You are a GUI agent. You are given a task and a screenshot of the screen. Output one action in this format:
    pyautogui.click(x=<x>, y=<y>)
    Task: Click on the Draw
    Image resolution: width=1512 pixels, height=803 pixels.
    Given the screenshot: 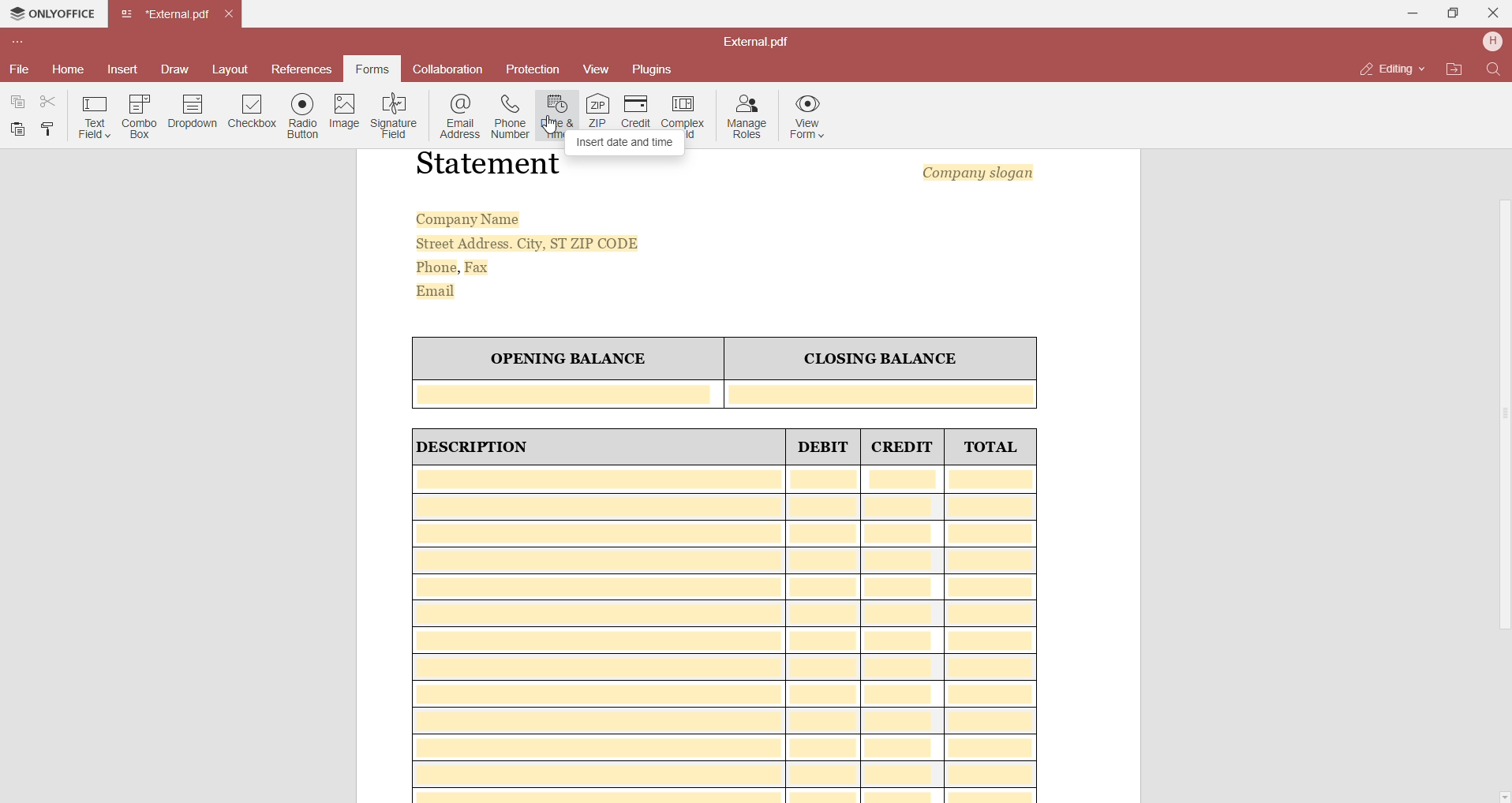 What is the action you would take?
    pyautogui.click(x=174, y=67)
    